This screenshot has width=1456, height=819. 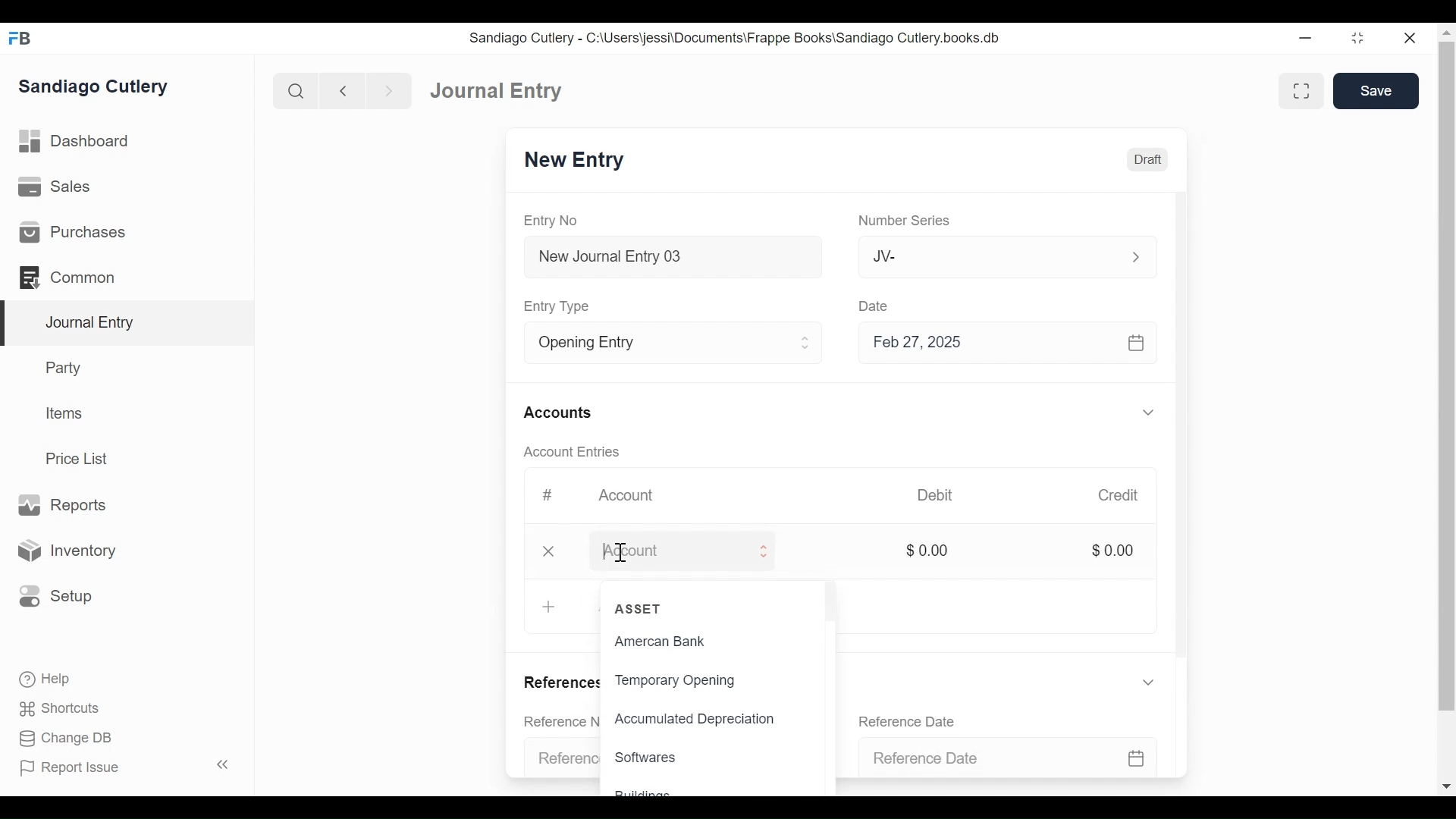 I want to click on Expand, so click(x=1147, y=682).